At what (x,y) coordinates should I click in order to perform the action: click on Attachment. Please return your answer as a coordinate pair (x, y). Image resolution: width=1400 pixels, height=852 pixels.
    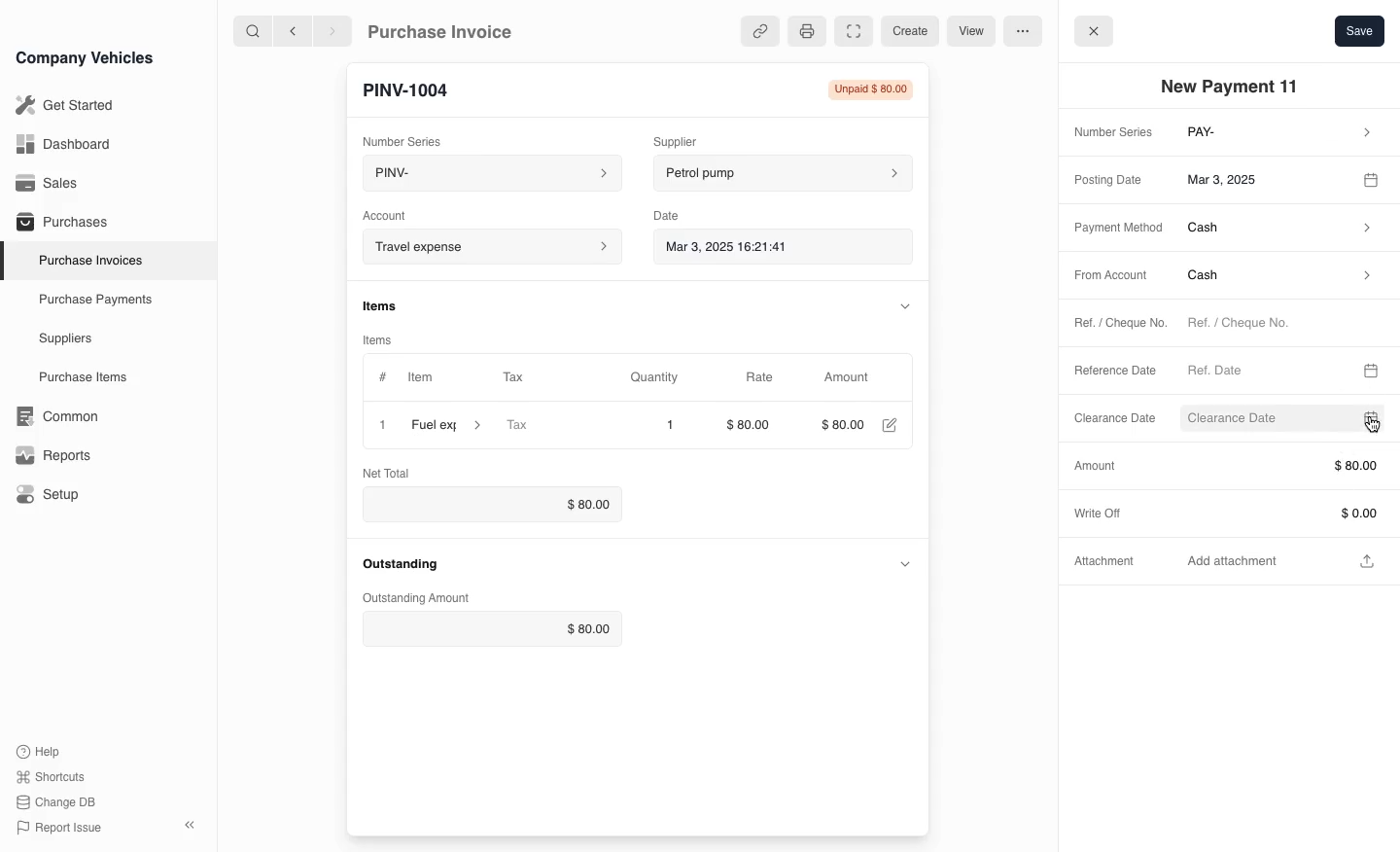
    Looking at the image, I should click on (1107, 565).